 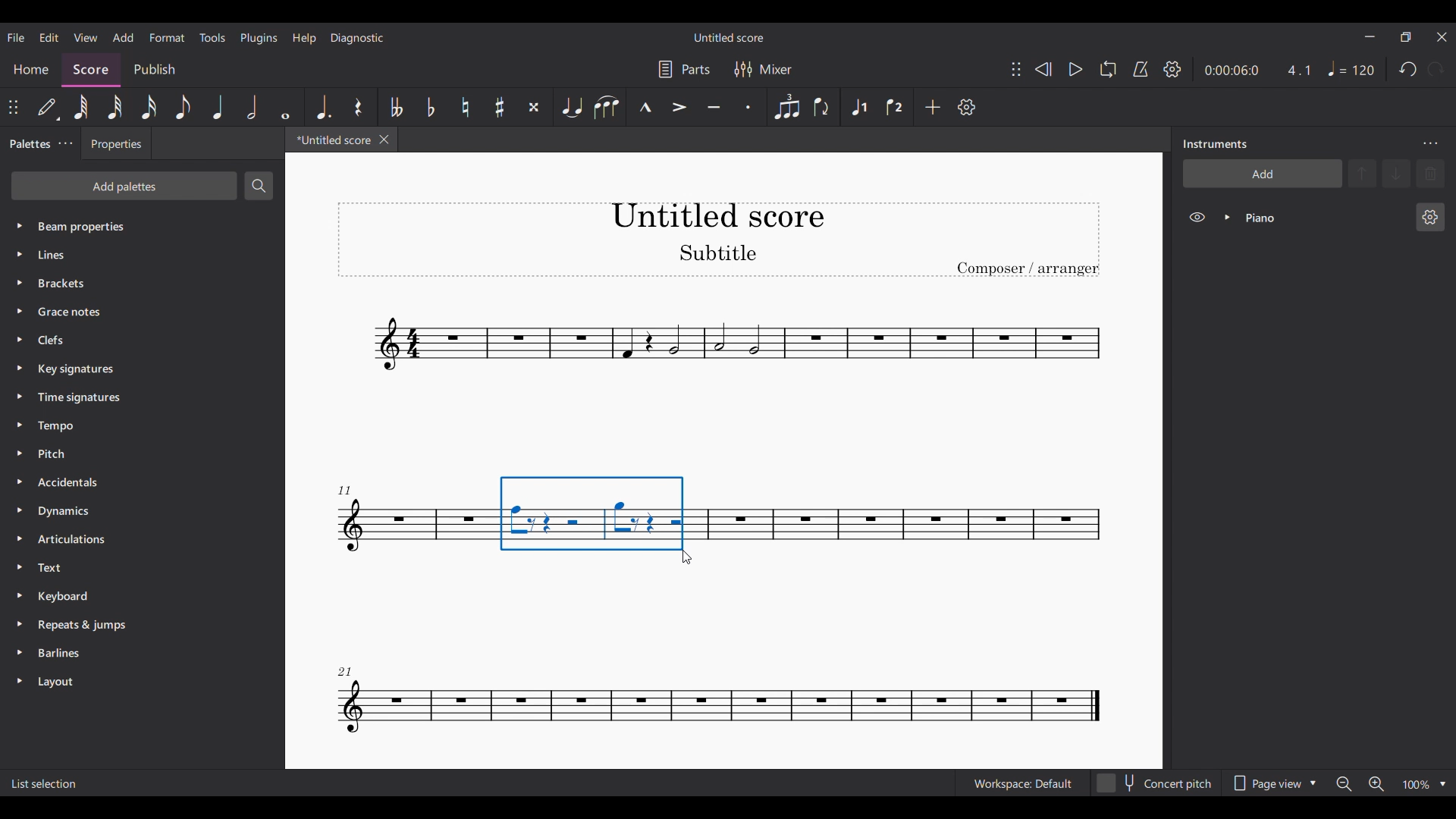 What do you see at coordinates (1396, 173) in the screenshot?
I see `Move selected instrument down` at bounding box center [1396, 173].